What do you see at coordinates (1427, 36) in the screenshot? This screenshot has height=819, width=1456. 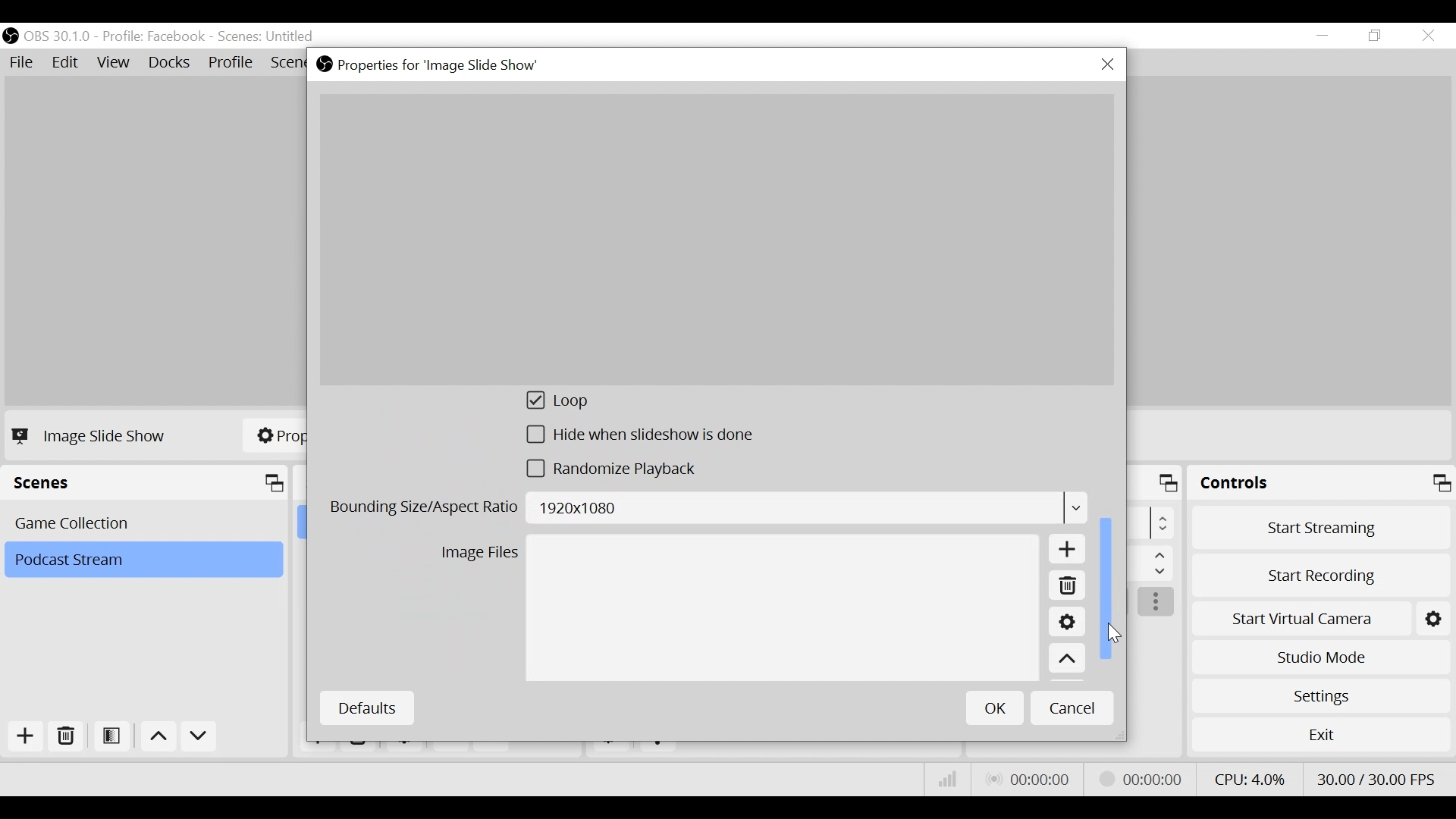 I see `Close` at bounding box center [1427, 36].